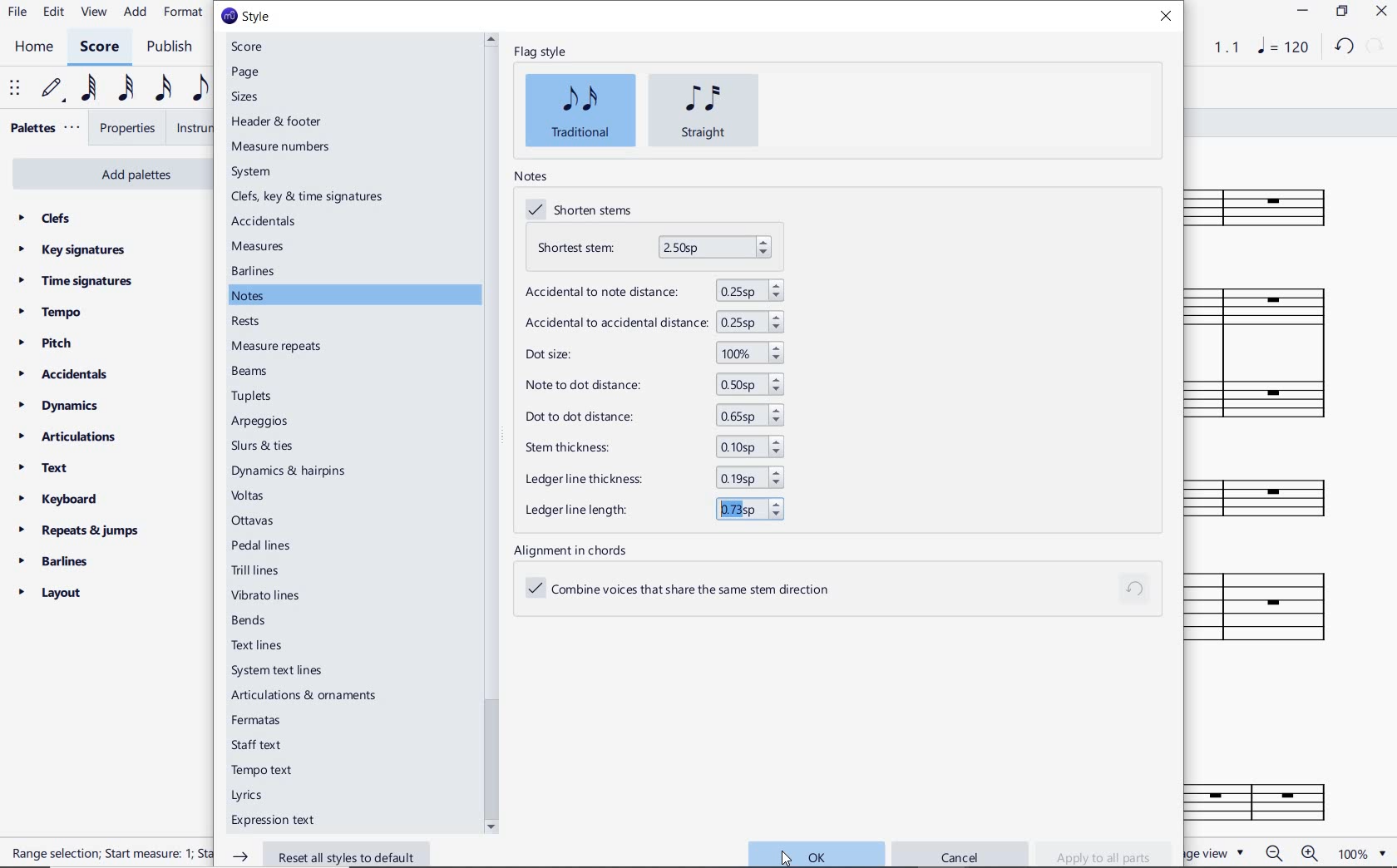 The height and width of the screenshot is (868, 1397). I want to click on clefs, key & time signatures, so click(309, 197).